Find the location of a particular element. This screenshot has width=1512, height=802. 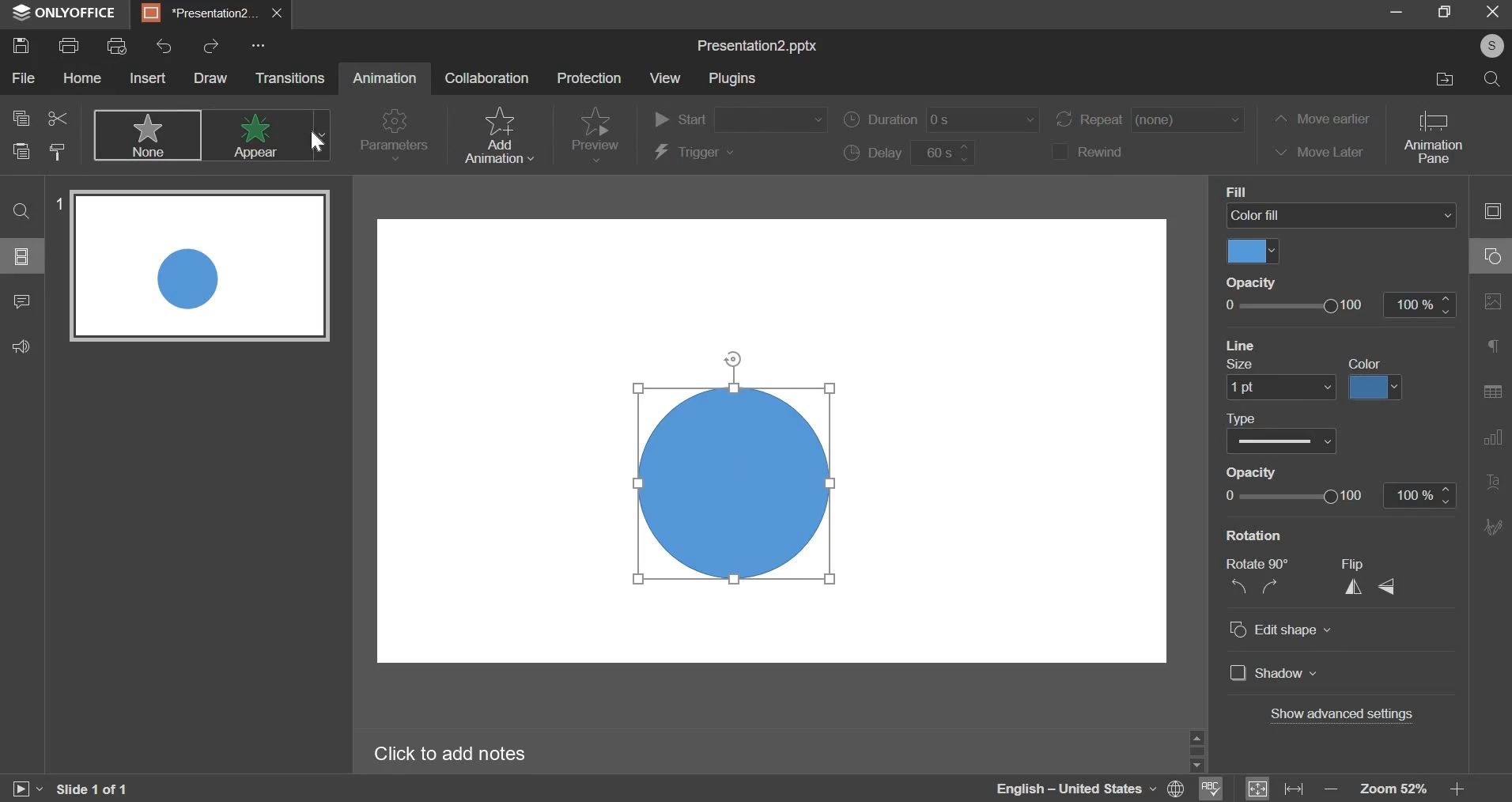

cut is located at coordinates (57, 118).